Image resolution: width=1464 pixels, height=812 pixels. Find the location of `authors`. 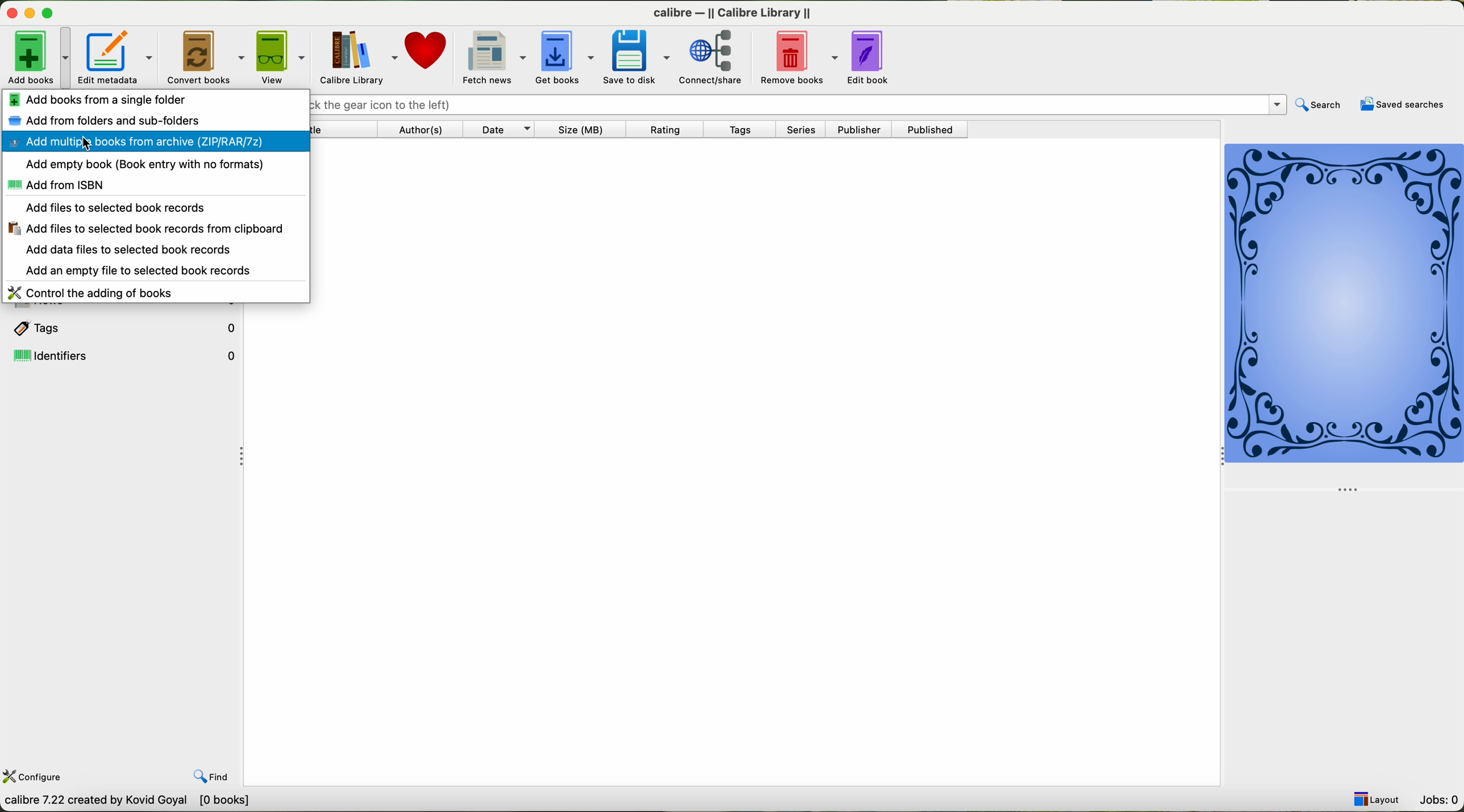

authors is located at coordinates (423, 130).